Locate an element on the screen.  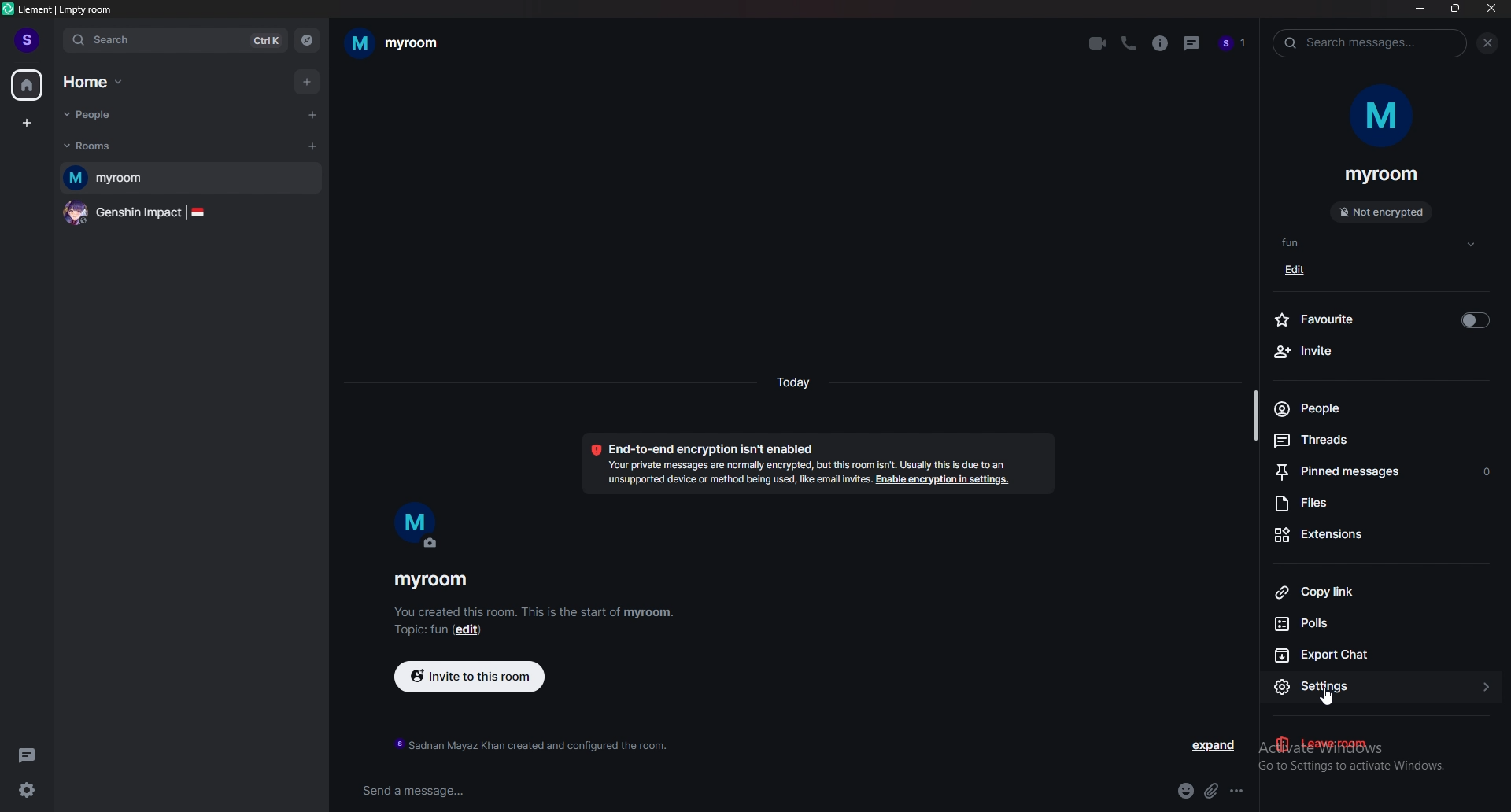
files is located at coordinates (1386, 504).